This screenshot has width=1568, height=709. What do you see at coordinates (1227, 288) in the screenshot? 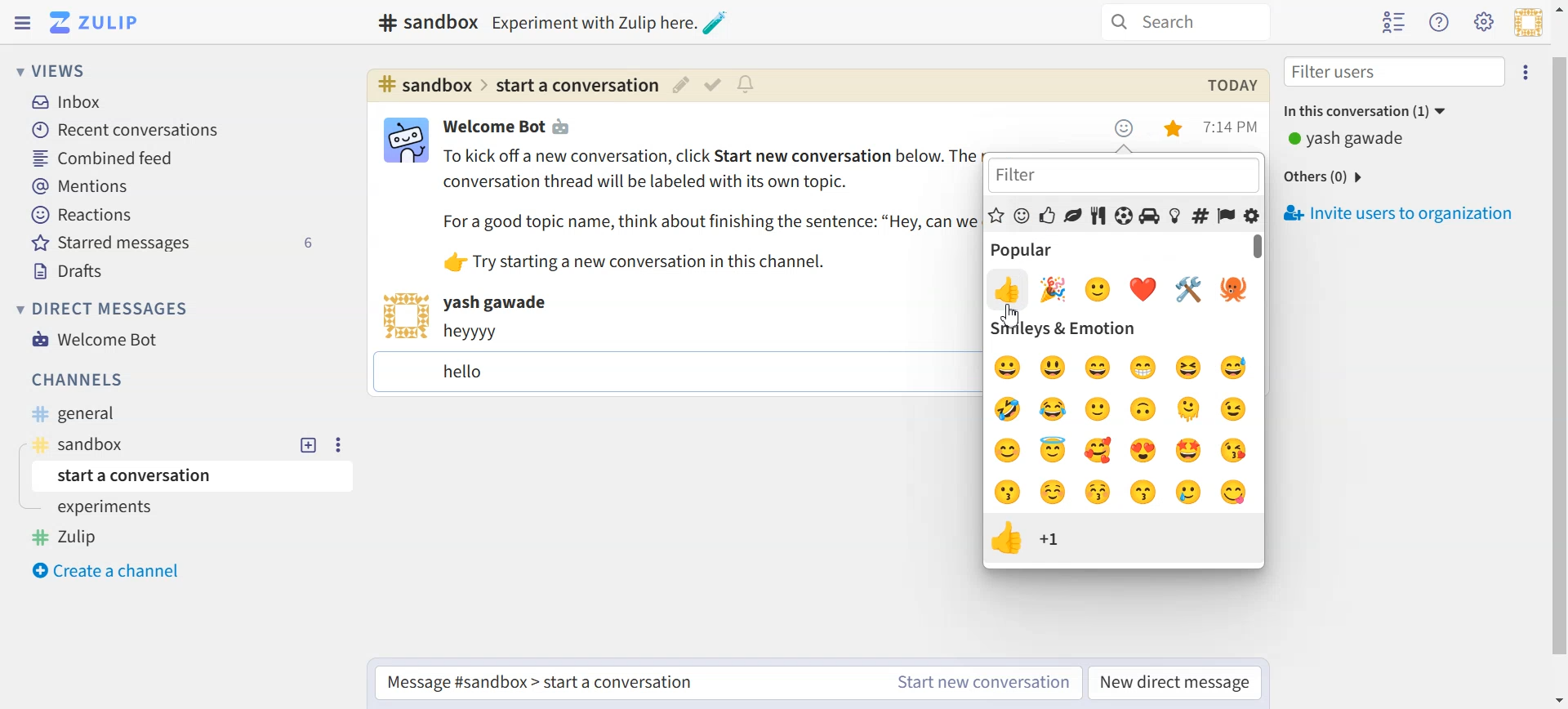
I see `Emoji` at bounding box center [1227, 288].